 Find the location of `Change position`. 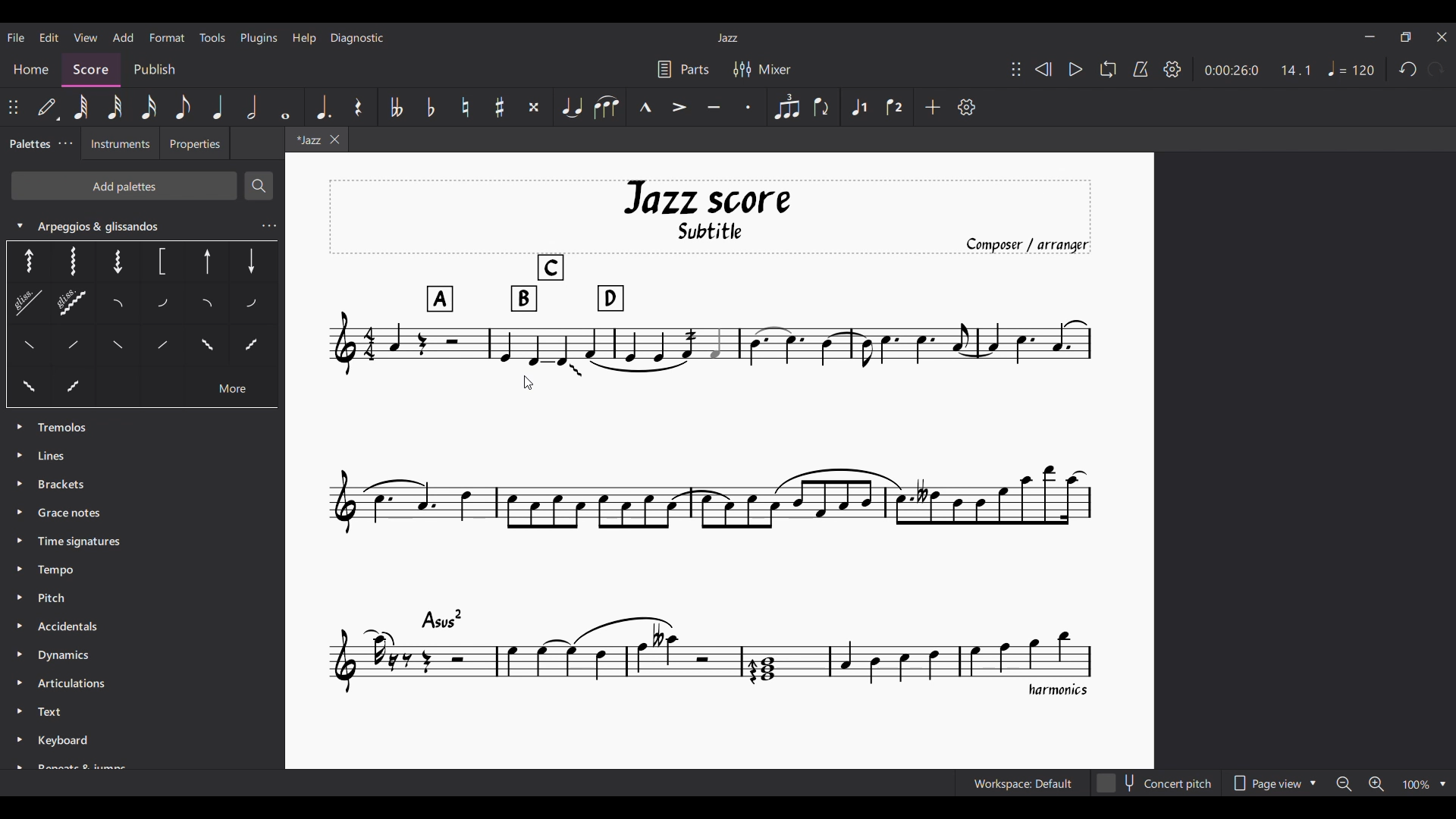

Change position is located at coordinates (1016, 69).